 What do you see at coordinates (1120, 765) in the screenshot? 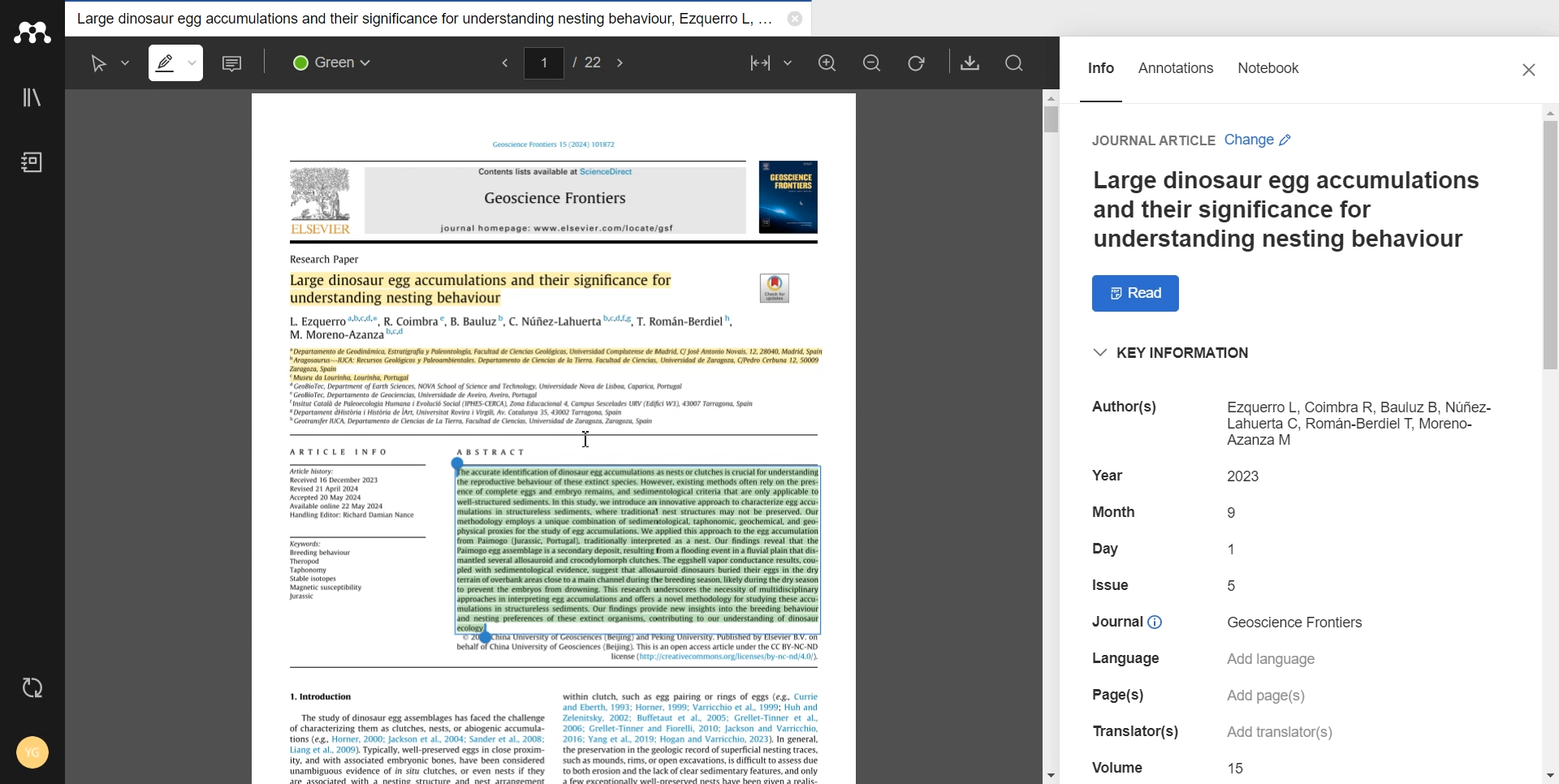
I see `Filetext` at bounding box center [1120, 765].